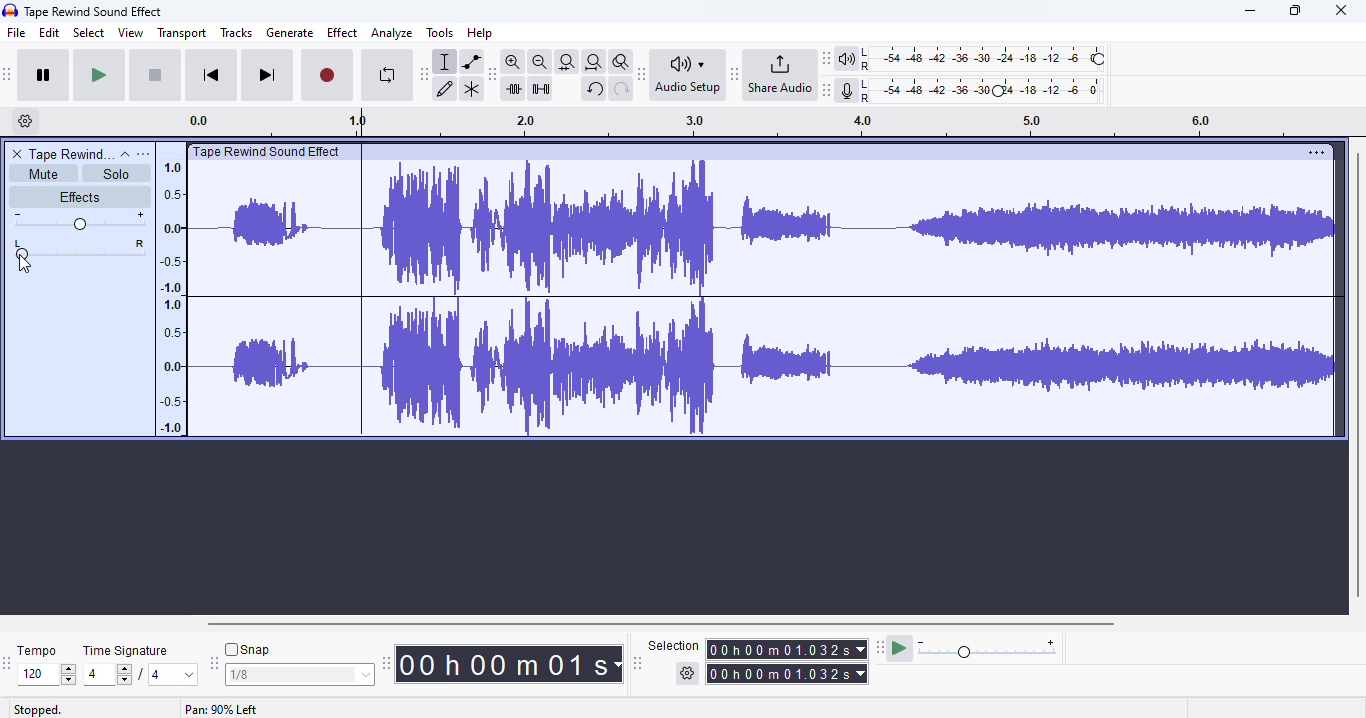  What do you see at coordinates (26, 120) in the screenshot?
I see `timeline options` at bounding box center [26, 120].